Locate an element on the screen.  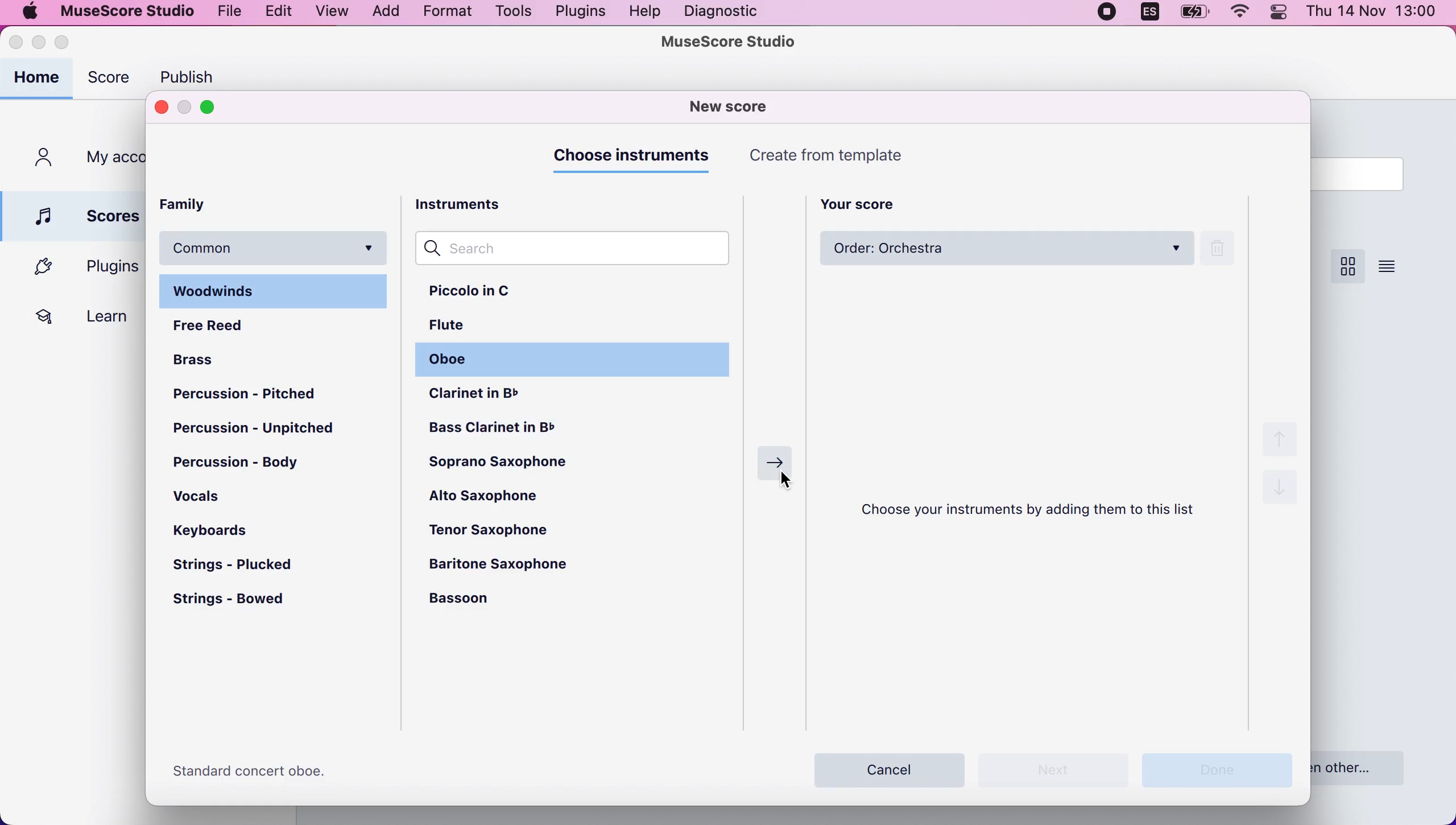
clarinet in b is located at coordinates (499, 396).